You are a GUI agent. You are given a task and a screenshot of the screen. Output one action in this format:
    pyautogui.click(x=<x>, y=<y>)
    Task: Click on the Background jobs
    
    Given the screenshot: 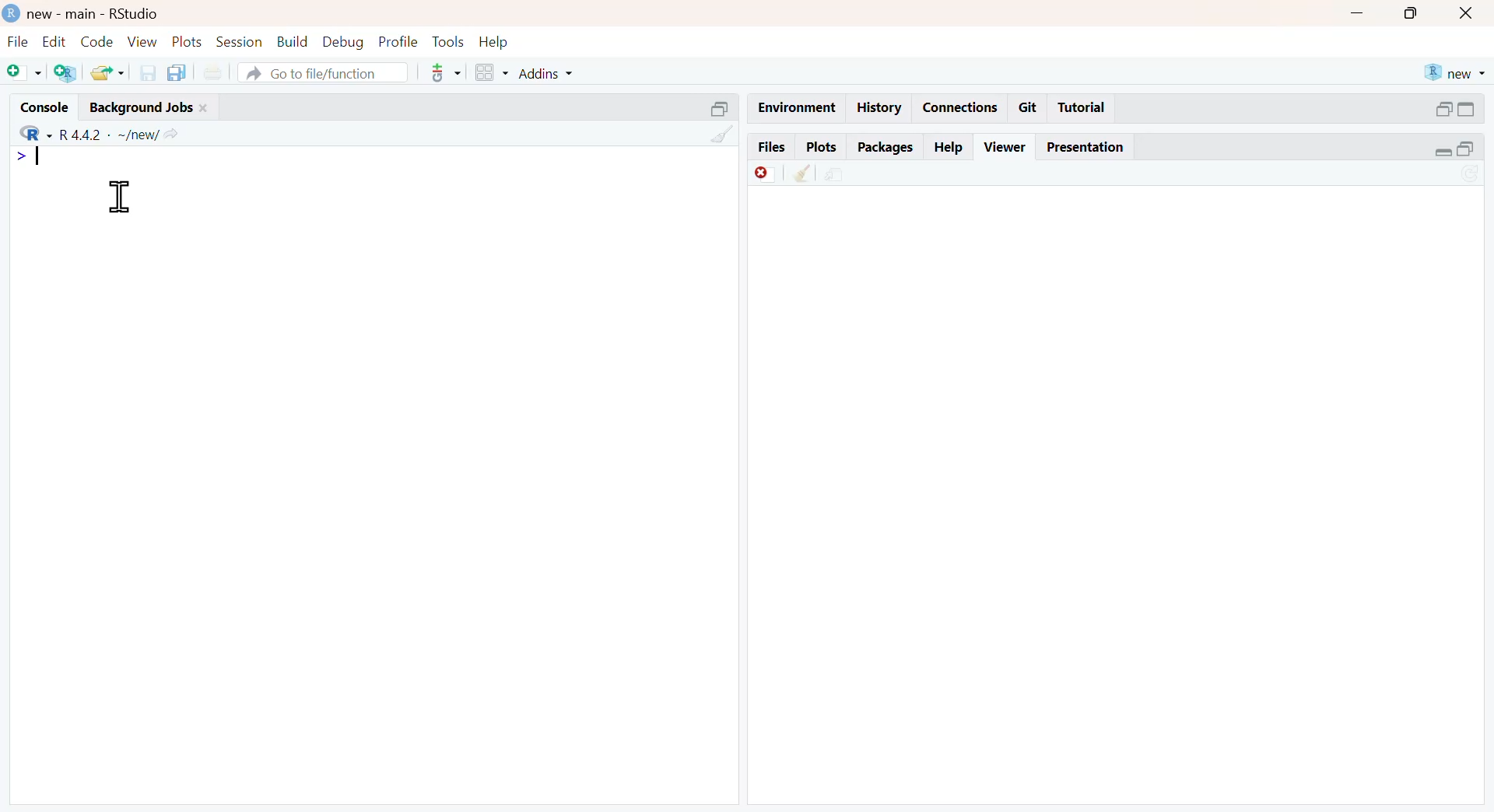 What is the action you would take?
    pyautogui.click(x=142, y=110)
    